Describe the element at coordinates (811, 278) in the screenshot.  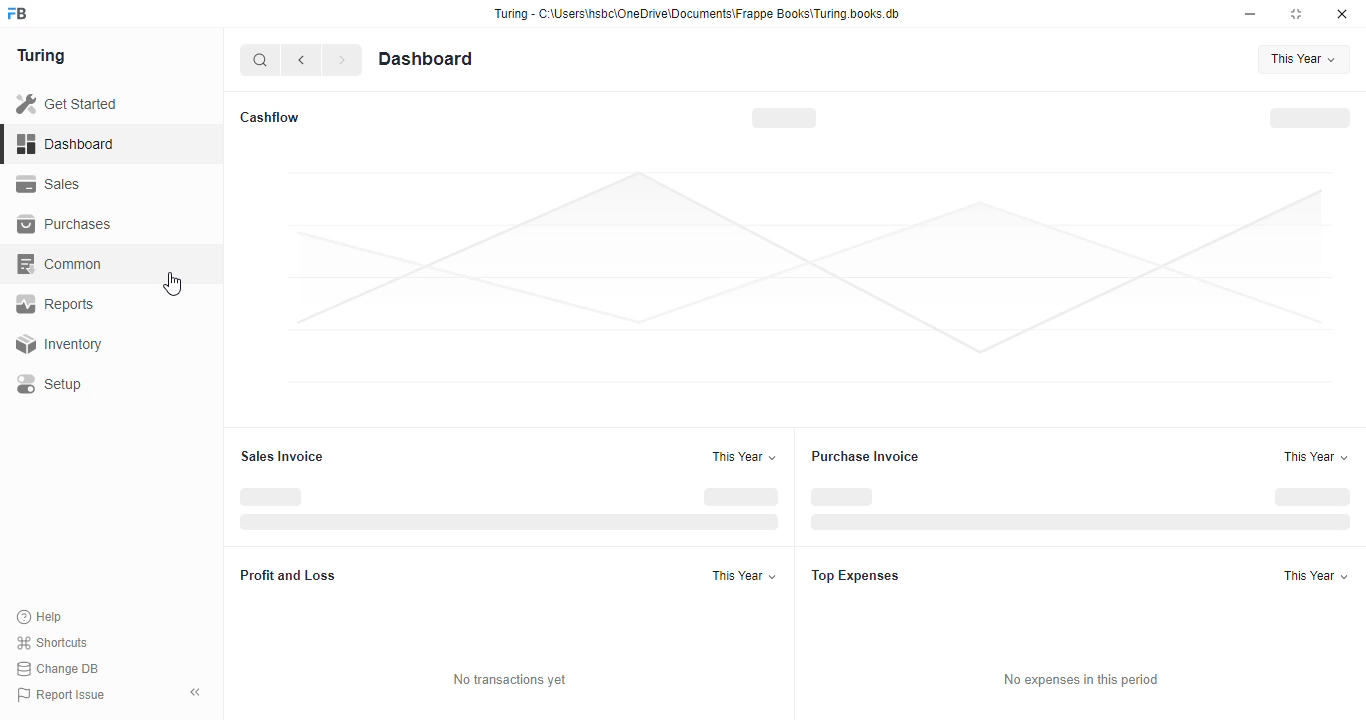
I see `graph` at that location.